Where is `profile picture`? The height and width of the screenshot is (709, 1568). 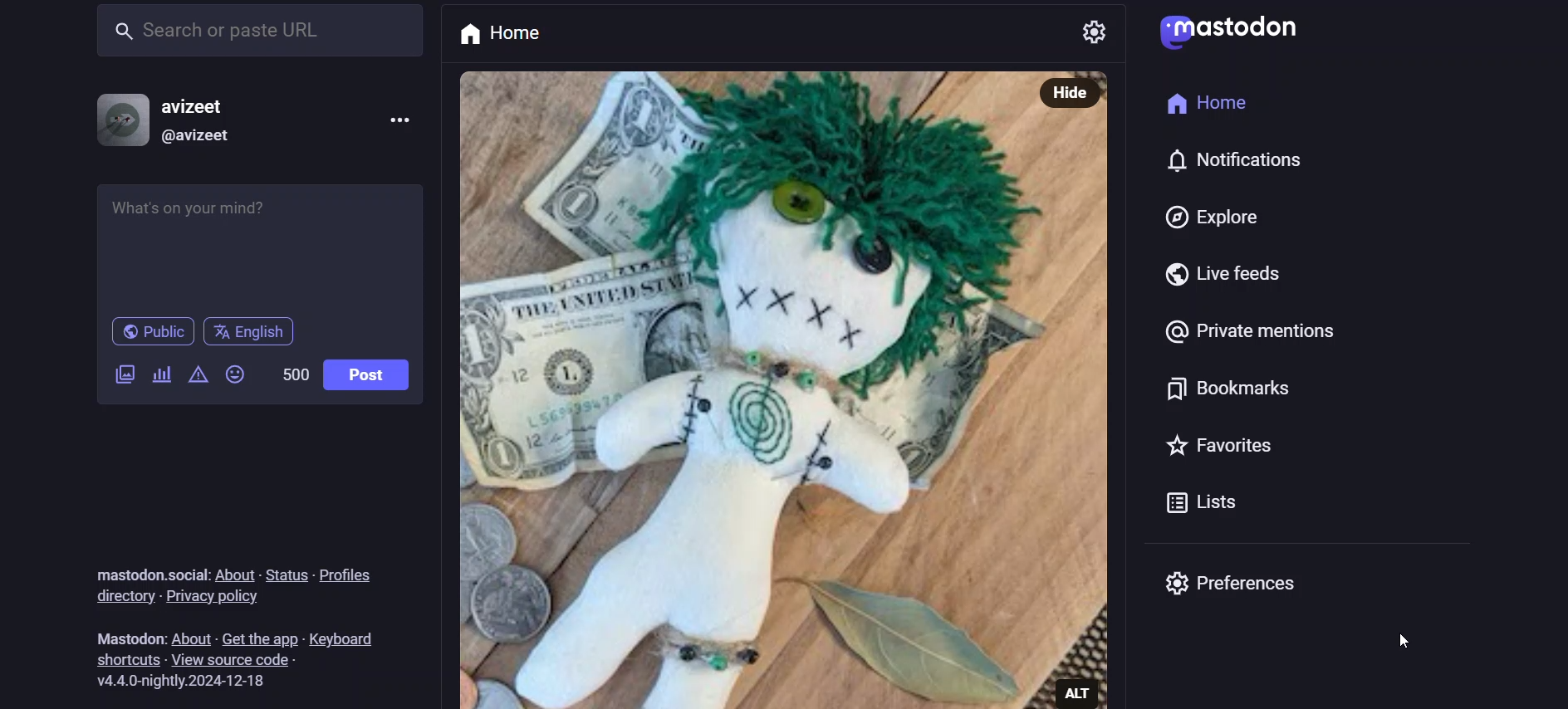 profile picture is located at coordinates (124, 120).